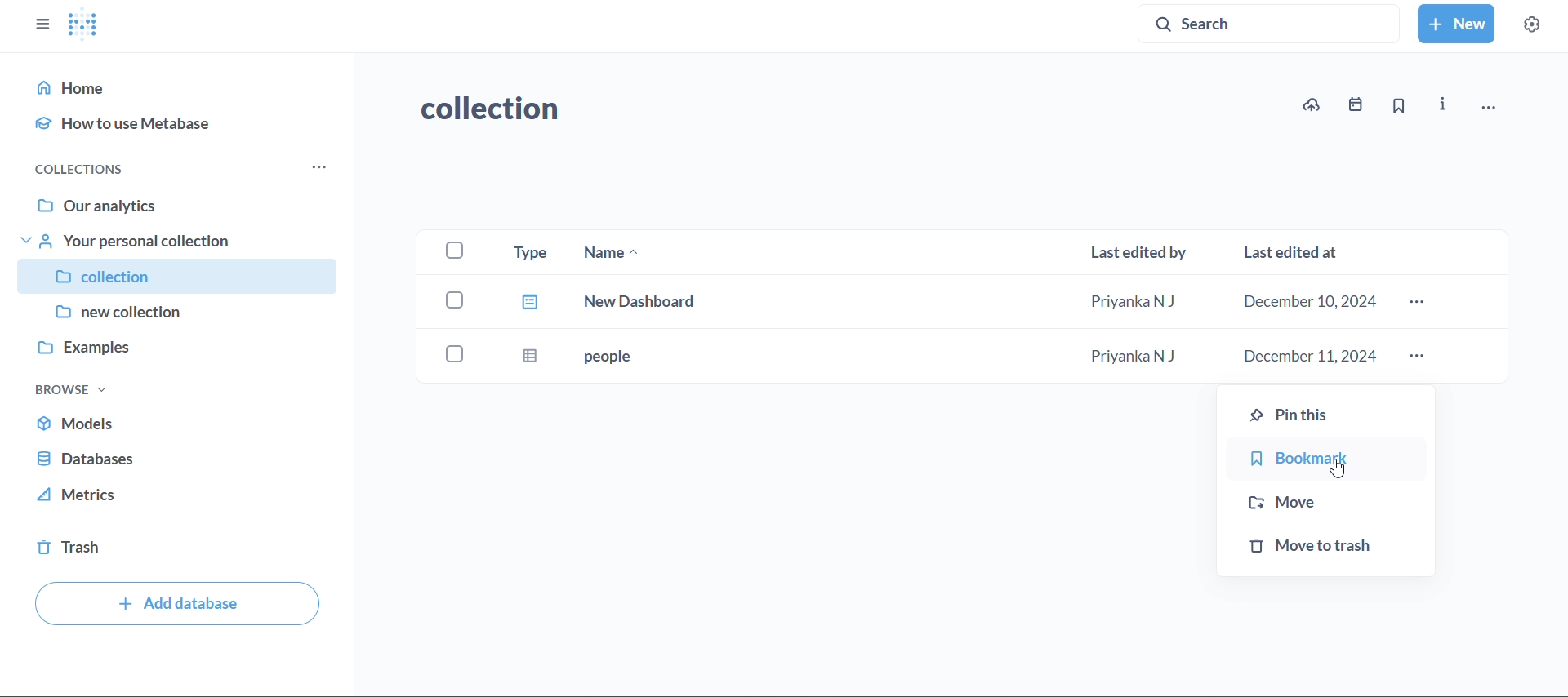 The width and height of the screenshot is (1568, 697). I want to click on pin this, so click(1328, 412).